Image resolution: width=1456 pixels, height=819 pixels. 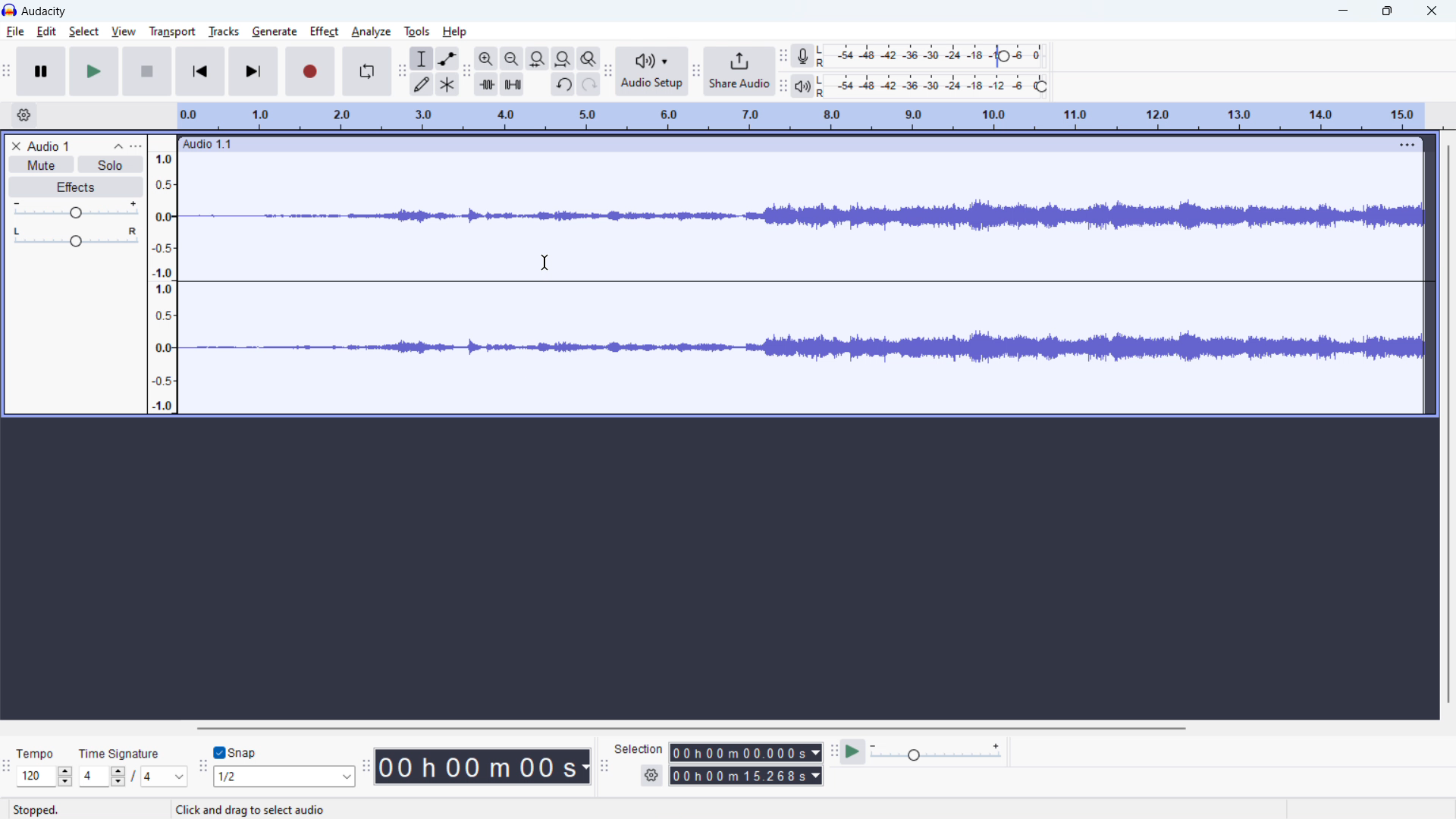 What do you see at coordinates (199, 71) in the screenshot?
I see `skip to start` at bounding box center [199, 71].